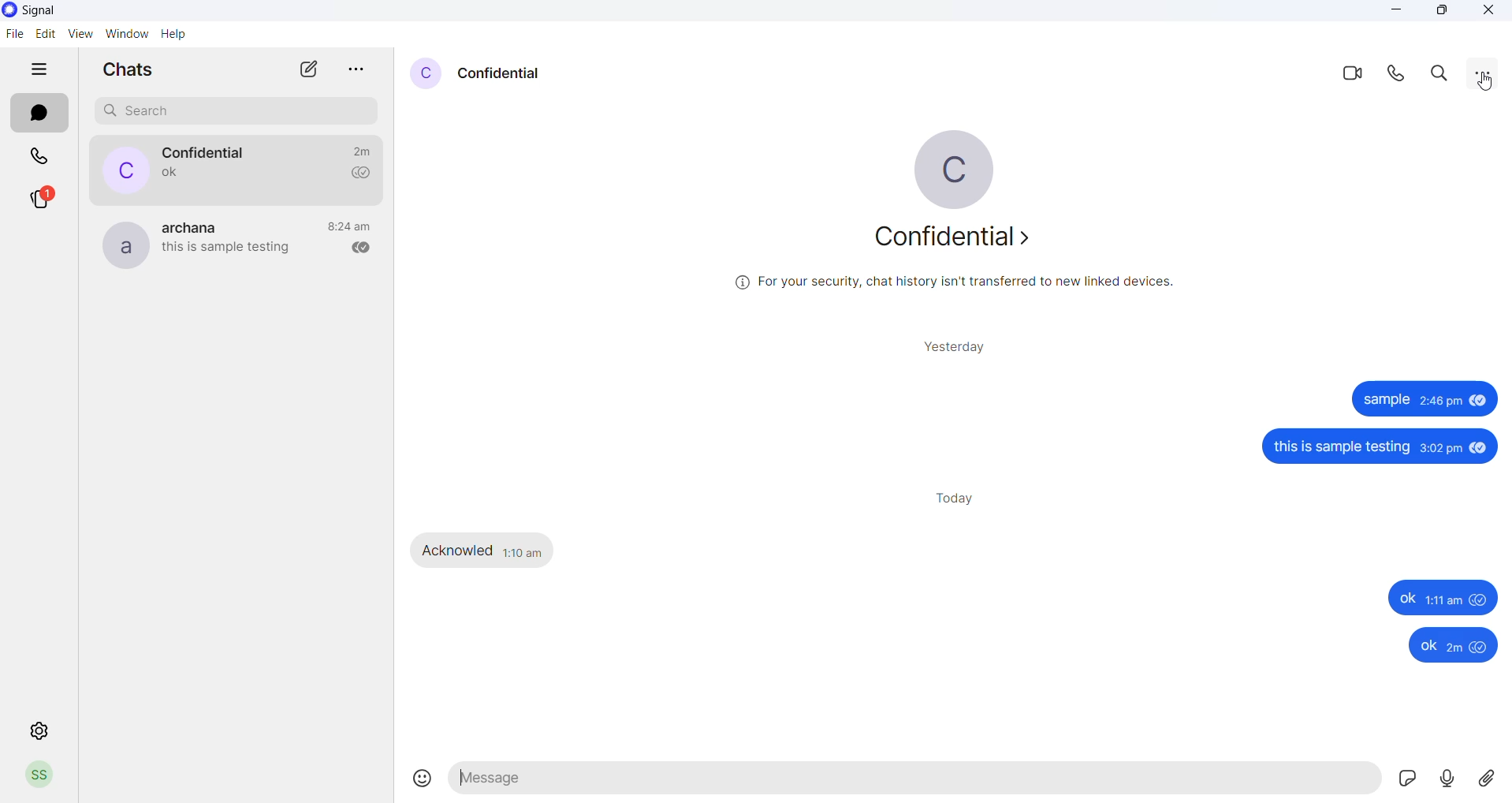 This screenshot has height=803, width=1512. What do you see at coordinates (1443, 644) in the screenshot?
I see `ok` at bounding box center [1443, 644].